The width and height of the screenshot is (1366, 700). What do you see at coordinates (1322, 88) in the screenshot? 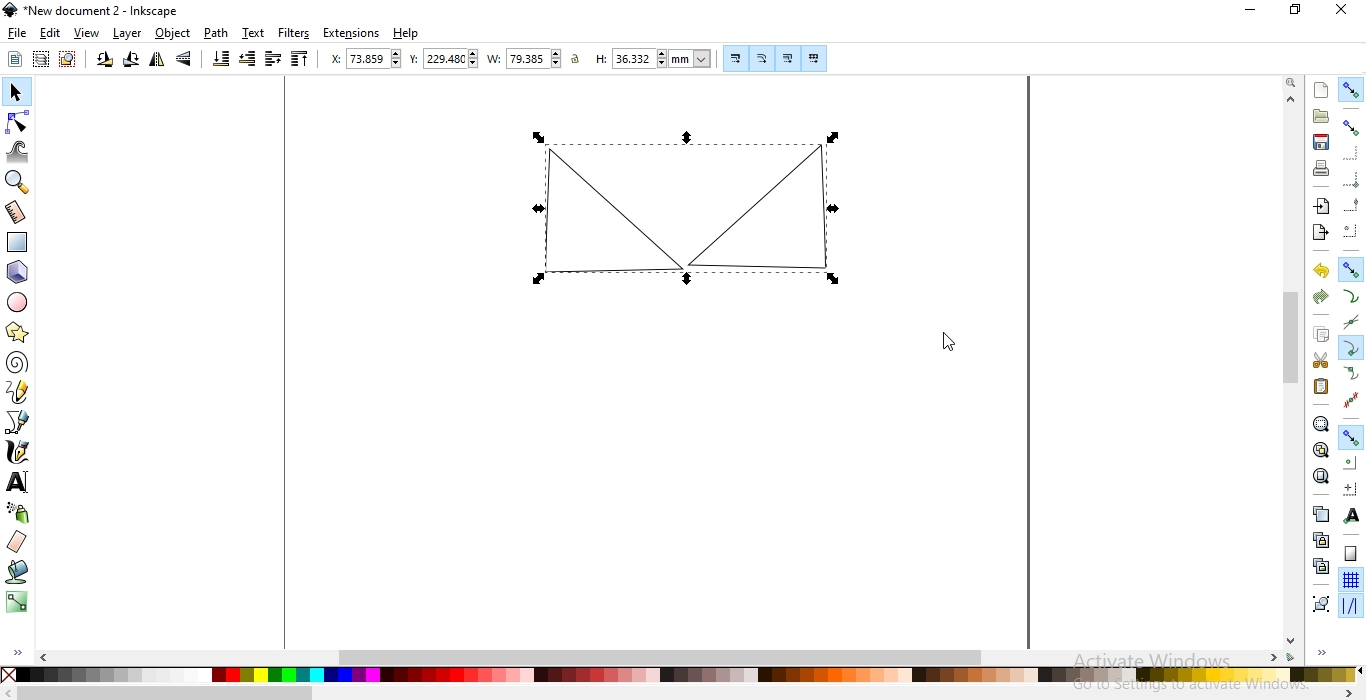
I see `create new document from default template` at bounding box center [1322, 88].